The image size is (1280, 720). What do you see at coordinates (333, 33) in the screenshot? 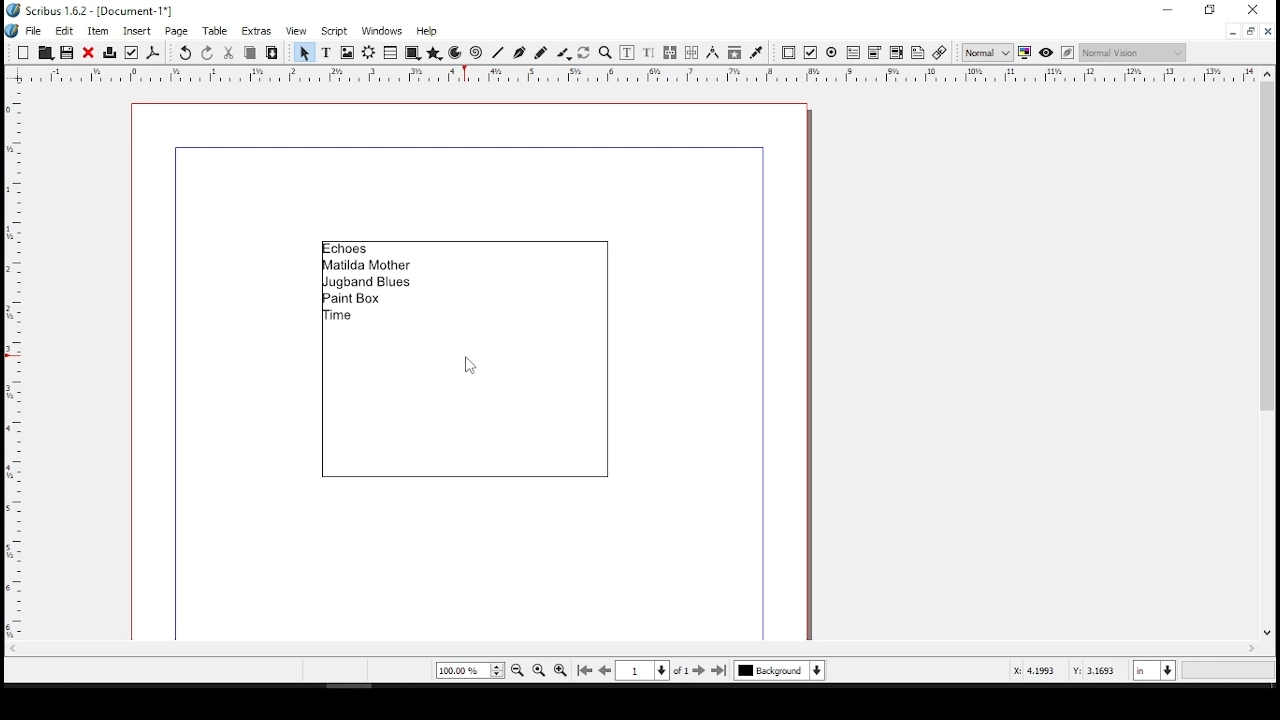
I see `script` at bounding box center [333, 33].